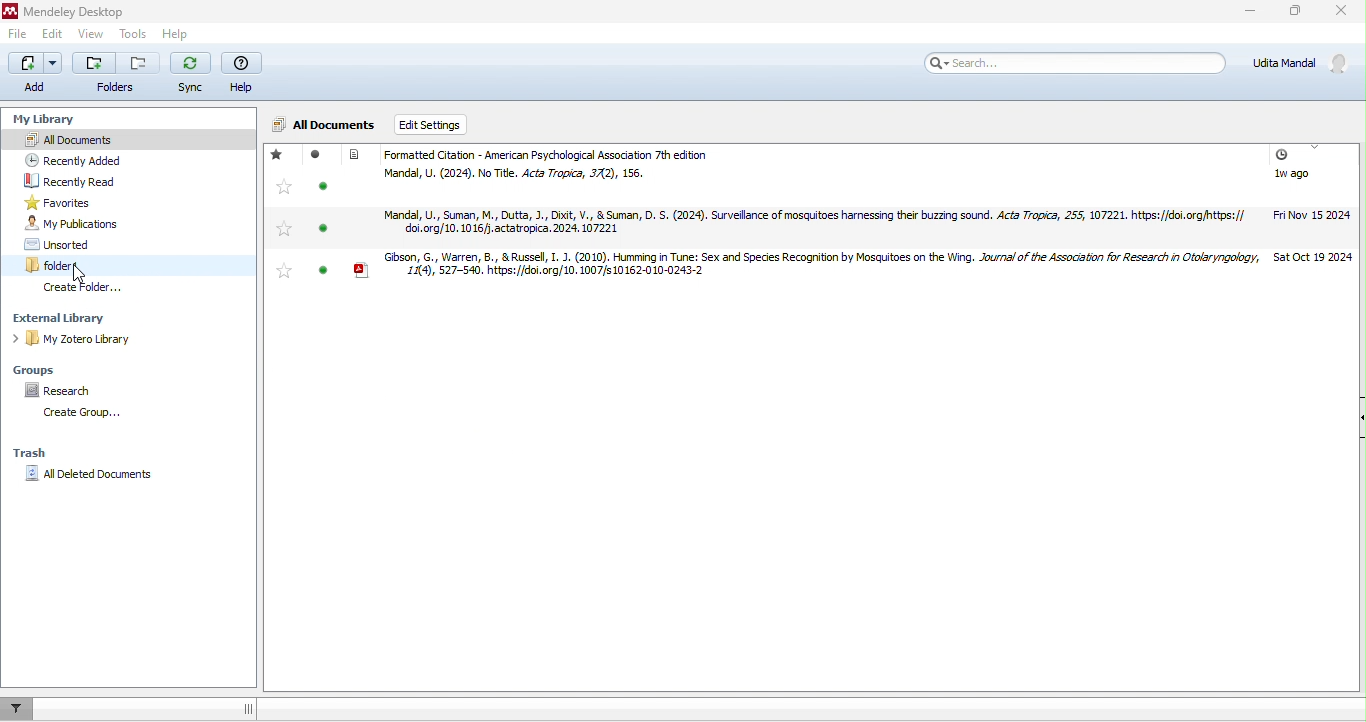 The image size is (1366, 722). What do you see at coordinates (85, 287) in the screenshot?
I see `create folder` at bounding box center [85, 287].